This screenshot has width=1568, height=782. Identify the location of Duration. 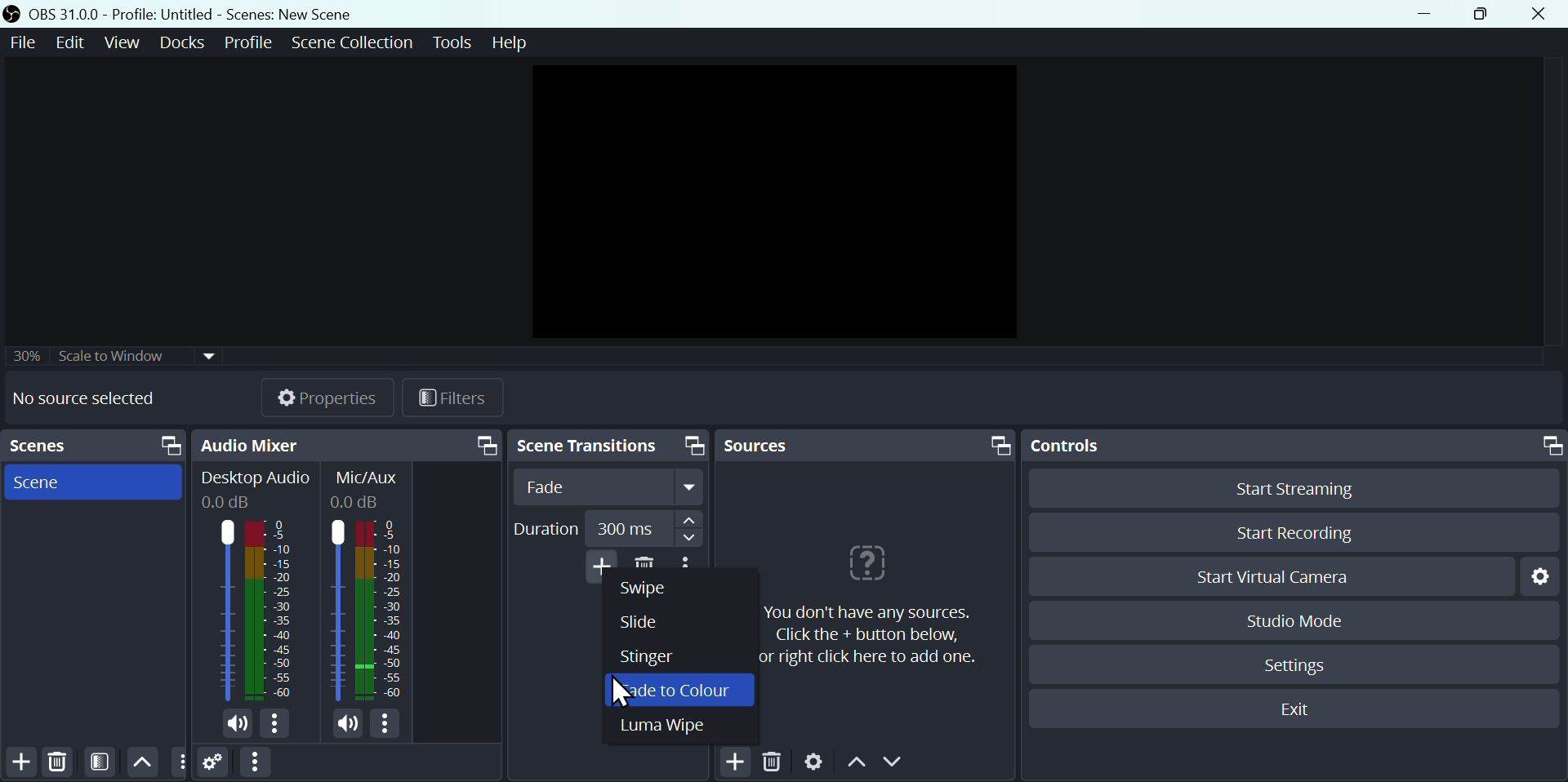
(547, 529).